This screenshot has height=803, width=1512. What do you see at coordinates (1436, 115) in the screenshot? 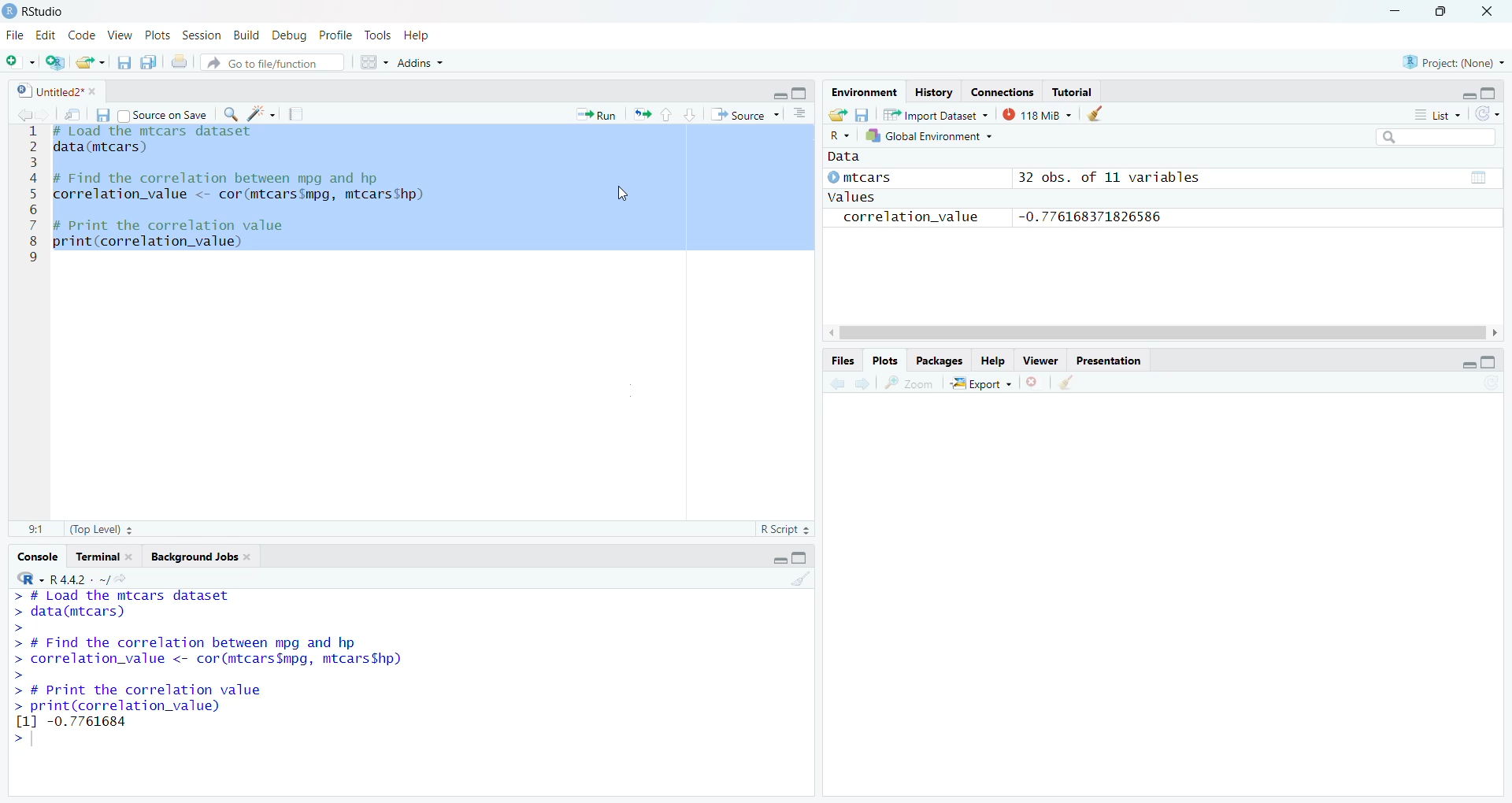
I see `List` at bounding box center [1436, 115].